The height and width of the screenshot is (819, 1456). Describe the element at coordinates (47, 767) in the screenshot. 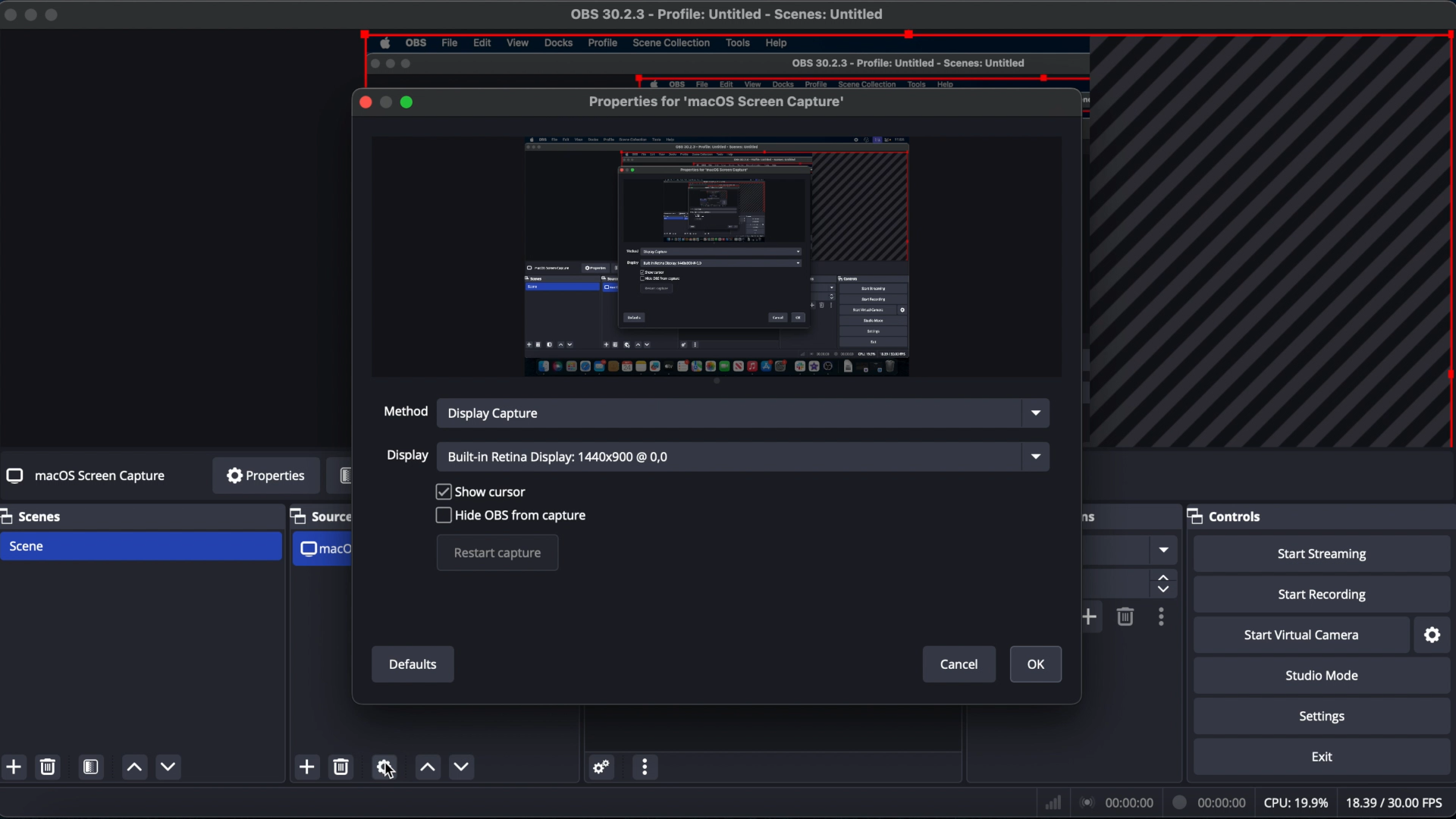

I see `remove selected` at that location.